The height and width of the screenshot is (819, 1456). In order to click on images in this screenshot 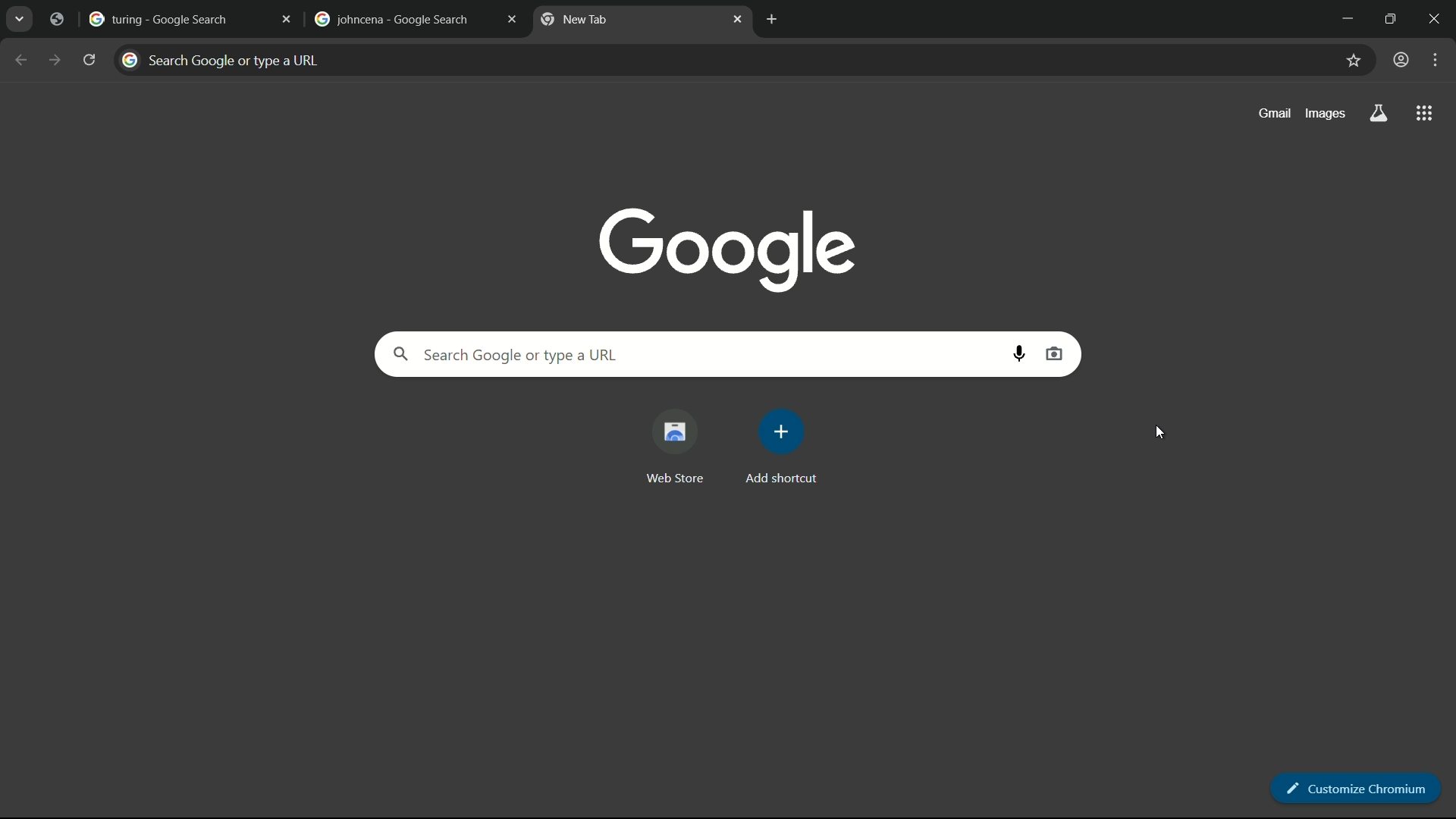, I will do `click(1326, 112)`.